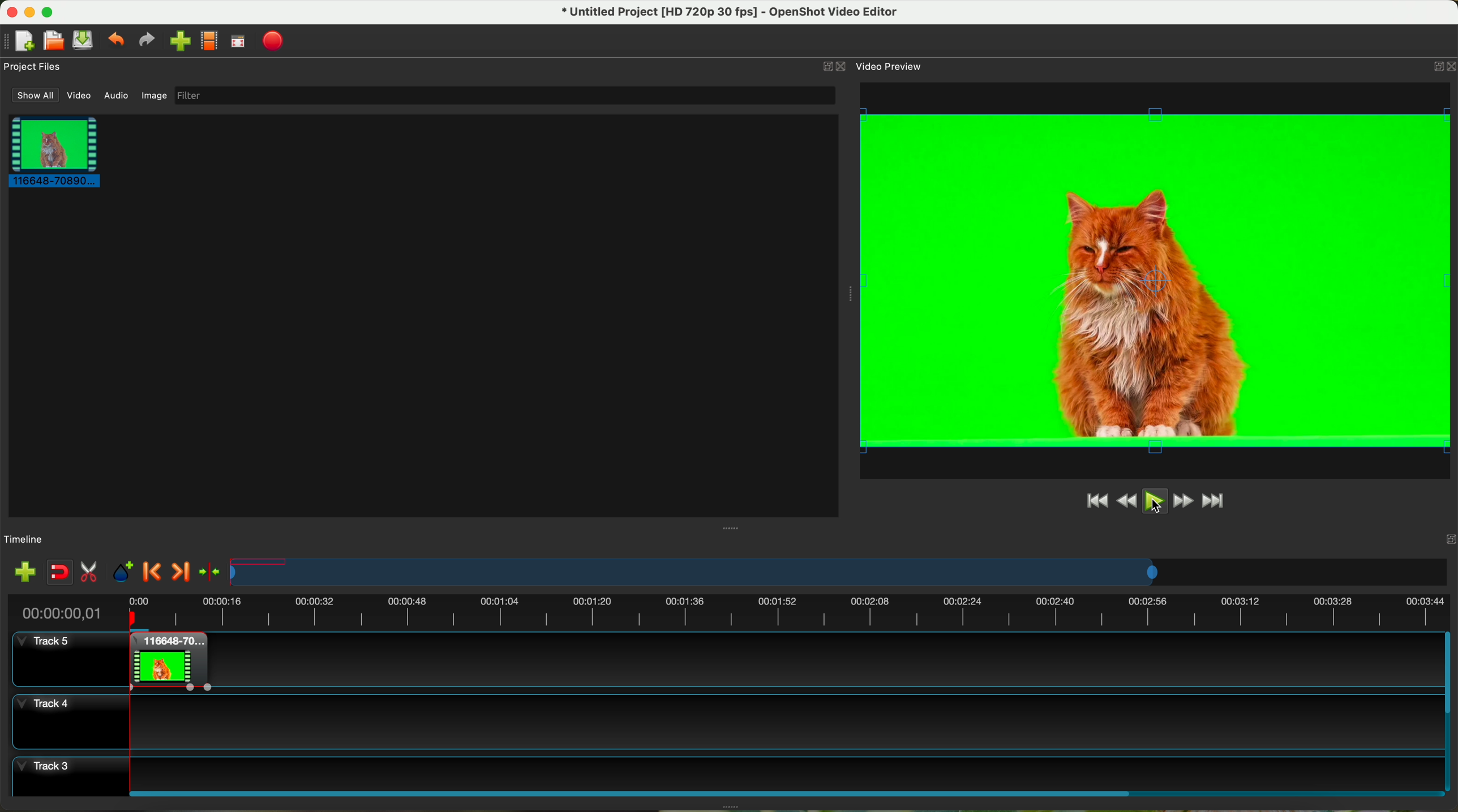 This screenshot has width=1458, height=812. I want to click on filter, so click(504, 95).